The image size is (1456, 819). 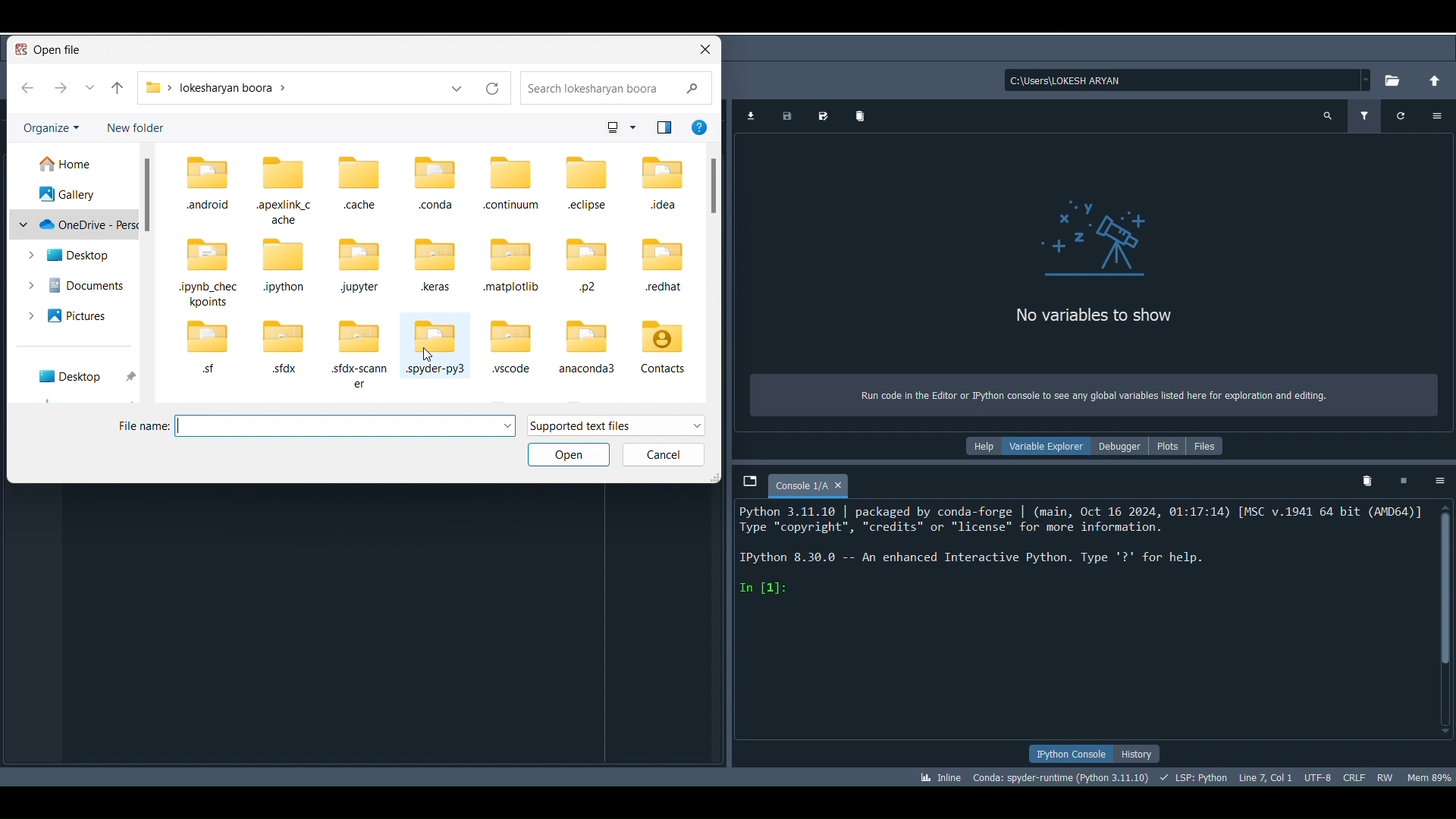 What do you see at coordinates (798, 486) in the screenshot?
I see `Console 1/A` at bounding box center [798, 486].